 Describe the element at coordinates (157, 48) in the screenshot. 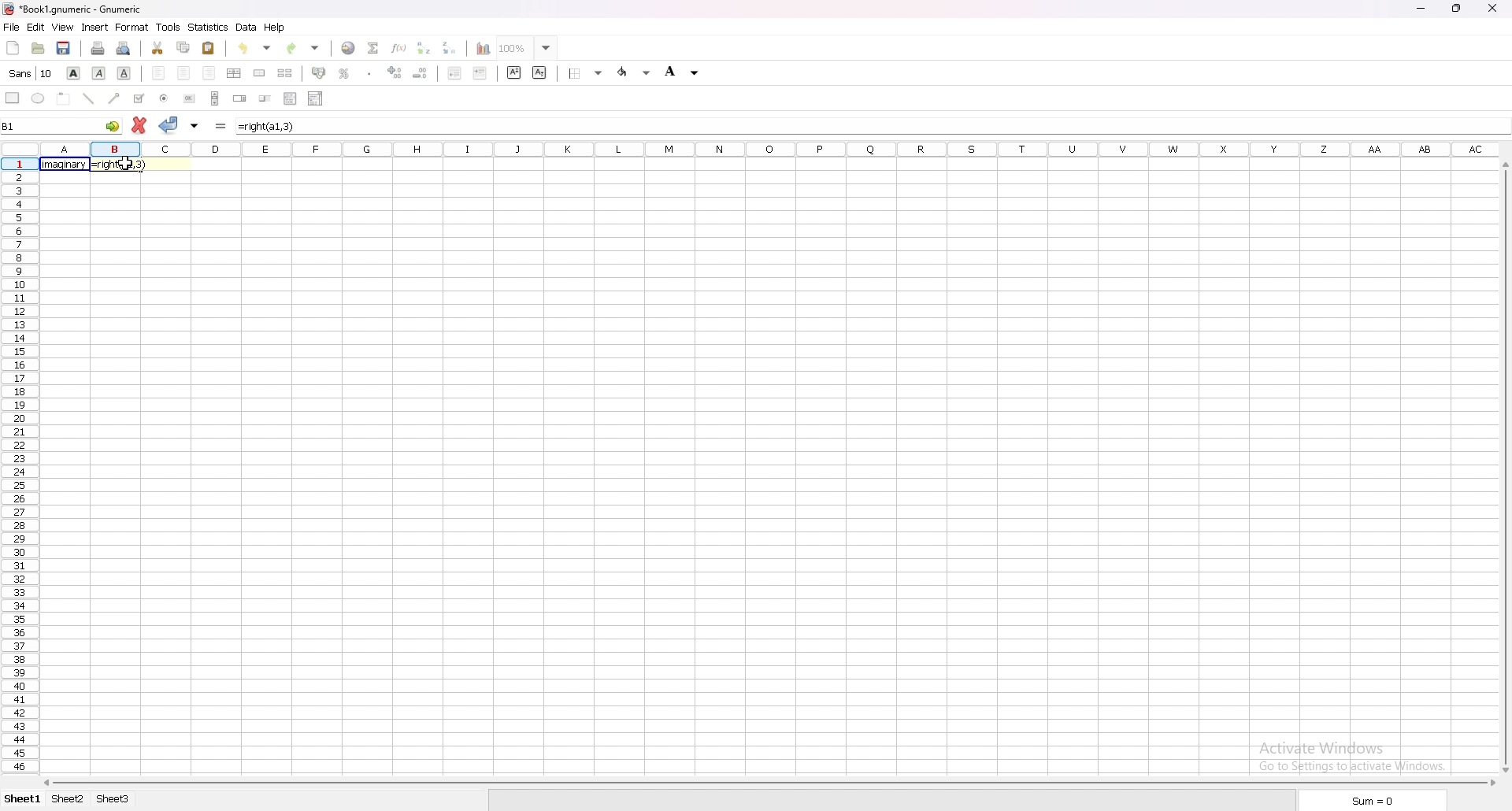

I see `cut` at that location.